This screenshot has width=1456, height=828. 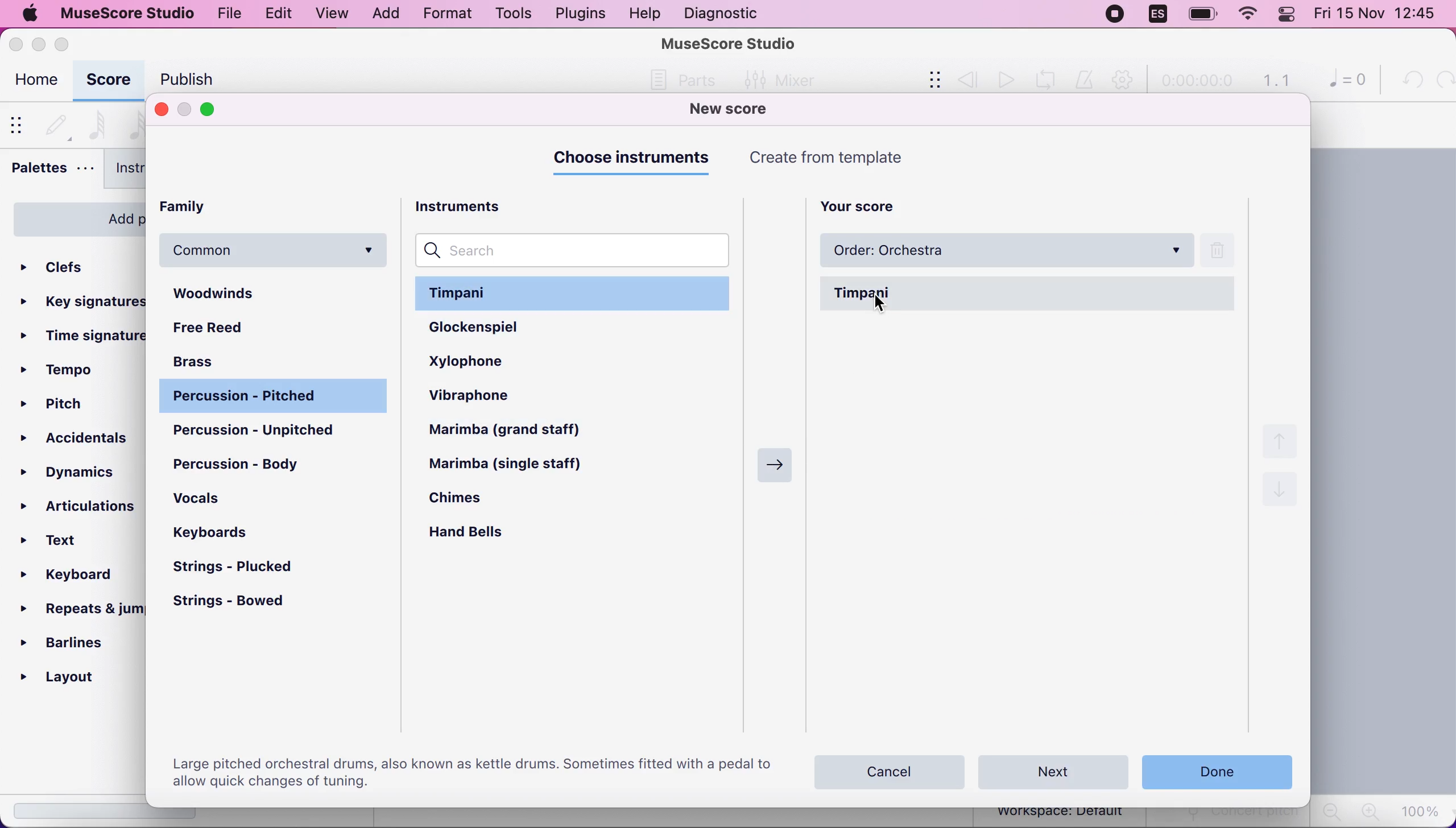 What do you see at coordinates (77, 438) in the screenshot?
I see `accidentals` at bounding box center [77, 438].